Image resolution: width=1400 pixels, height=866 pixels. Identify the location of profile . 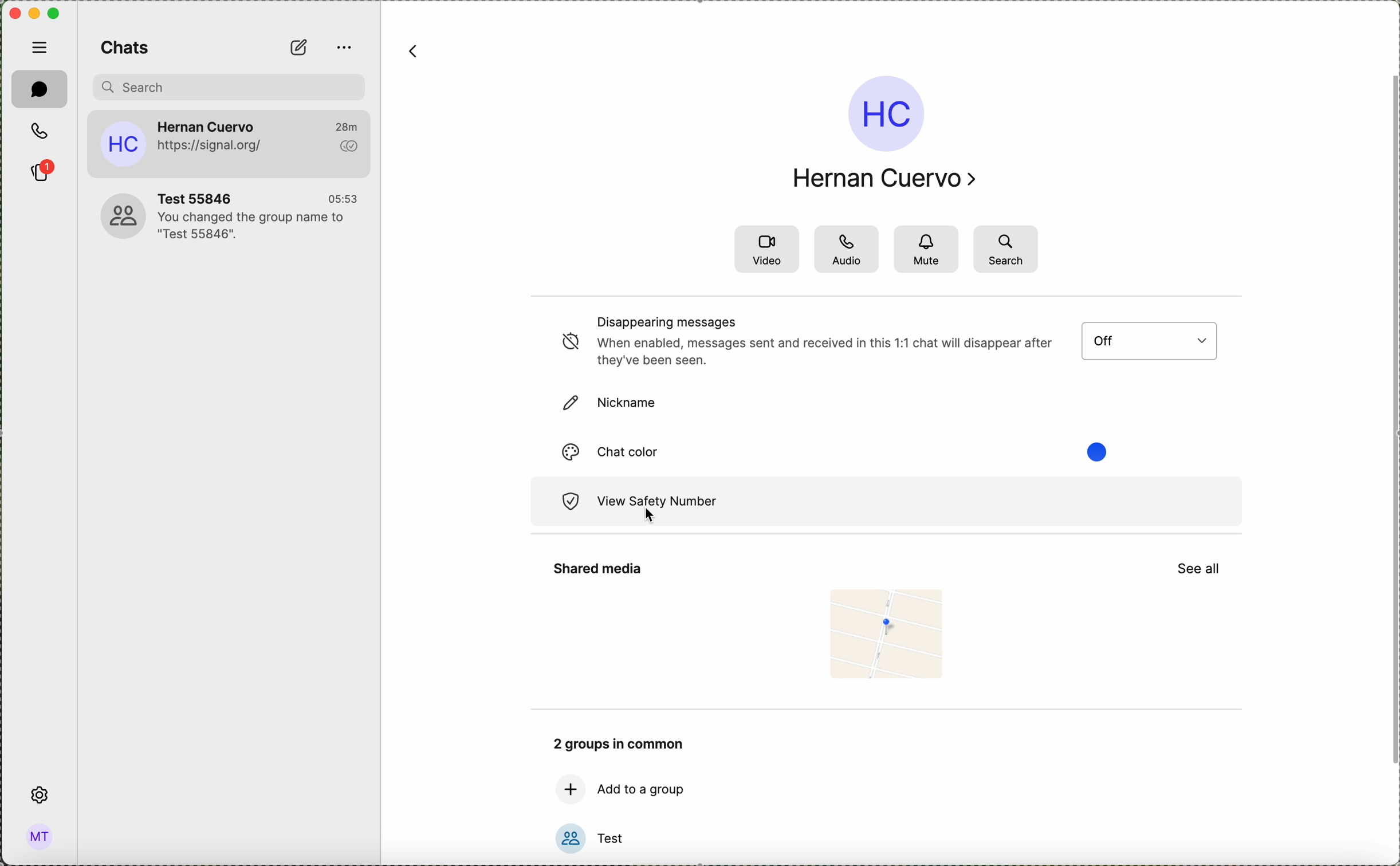
(883, 114).